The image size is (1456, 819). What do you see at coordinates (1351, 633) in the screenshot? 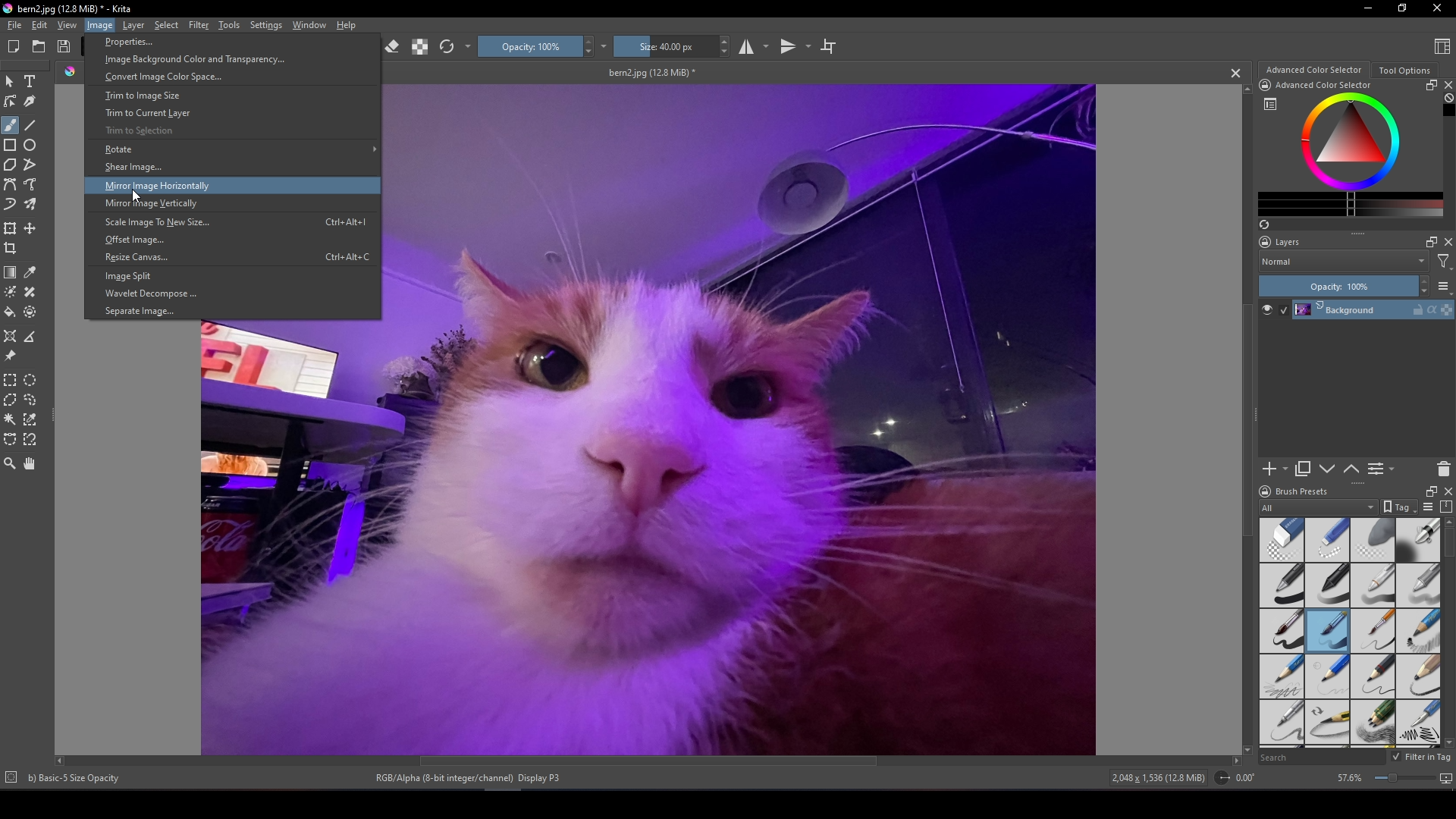
I see `Brush style preset panel` at bounding box center [1351, 633].